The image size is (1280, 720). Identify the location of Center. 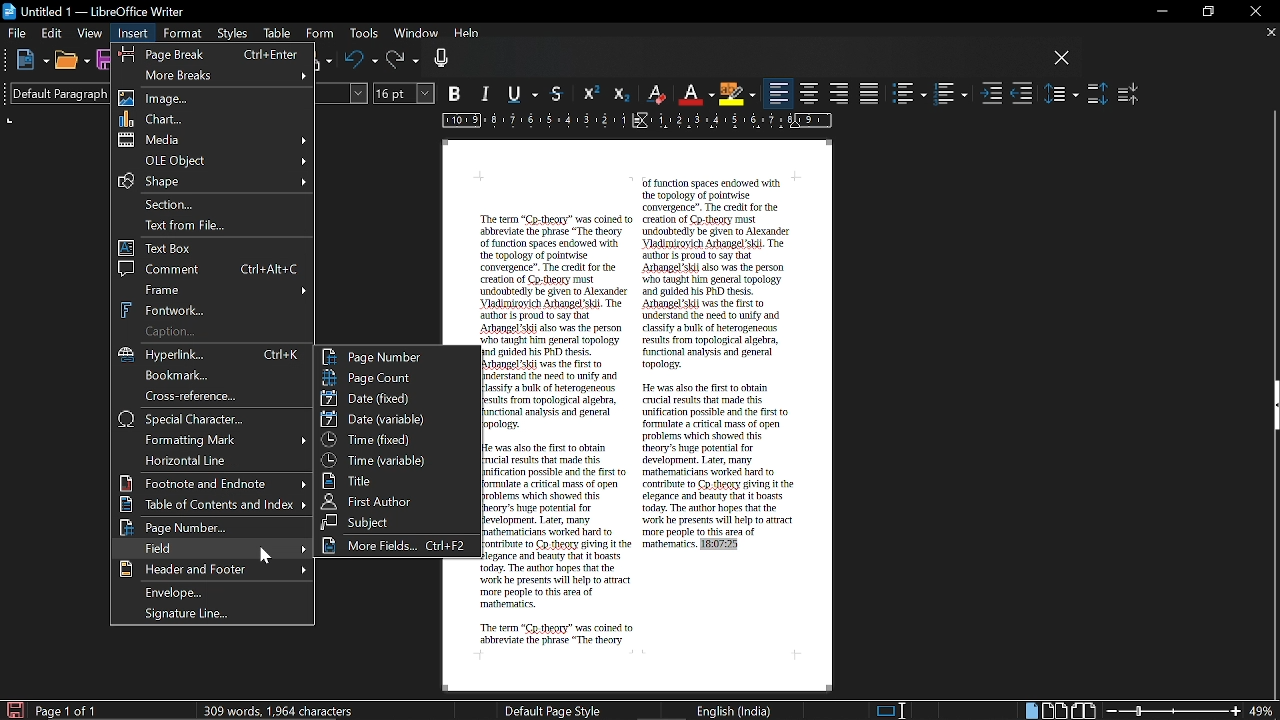
(810, 93).